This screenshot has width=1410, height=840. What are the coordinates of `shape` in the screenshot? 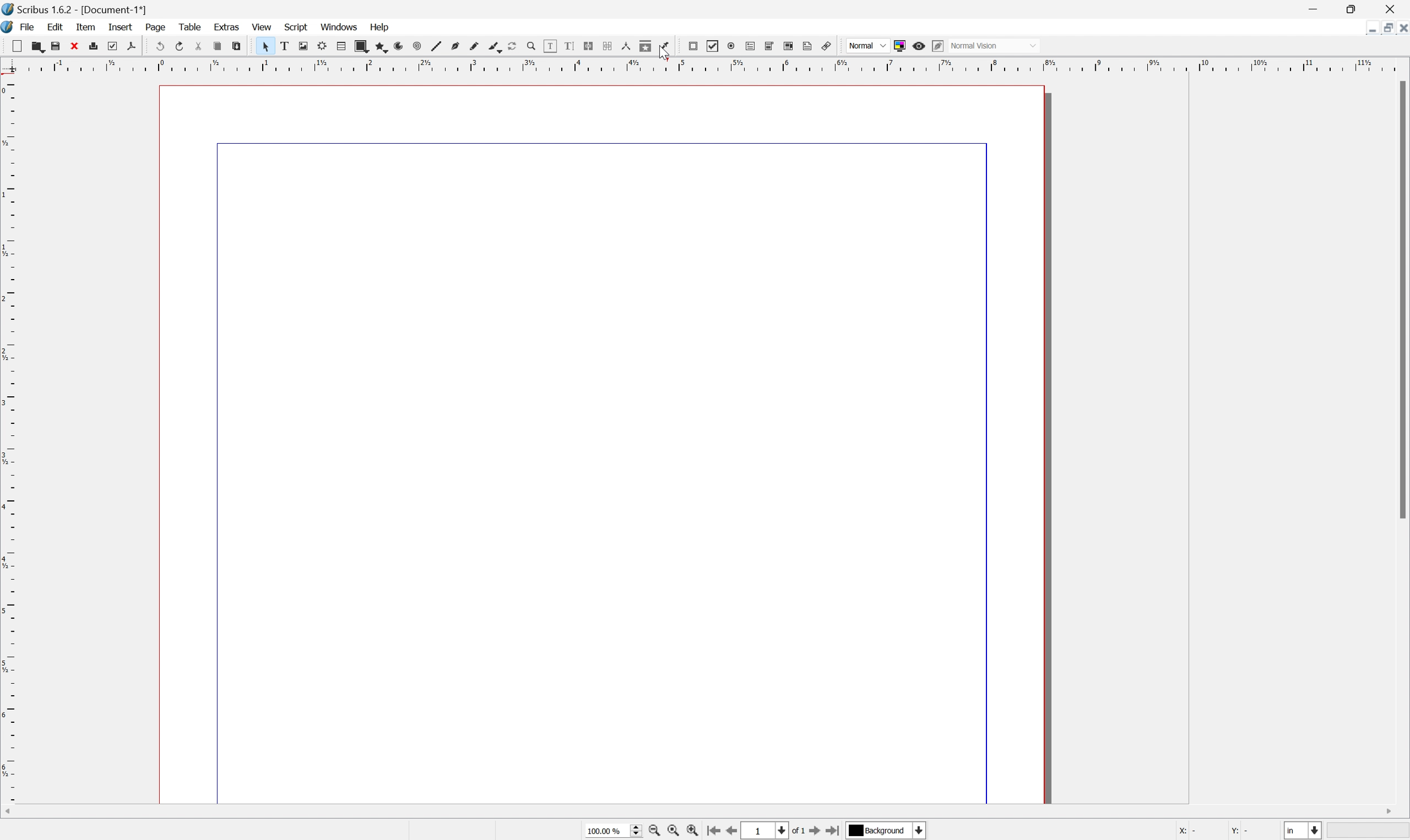 It's located at (361, 45).